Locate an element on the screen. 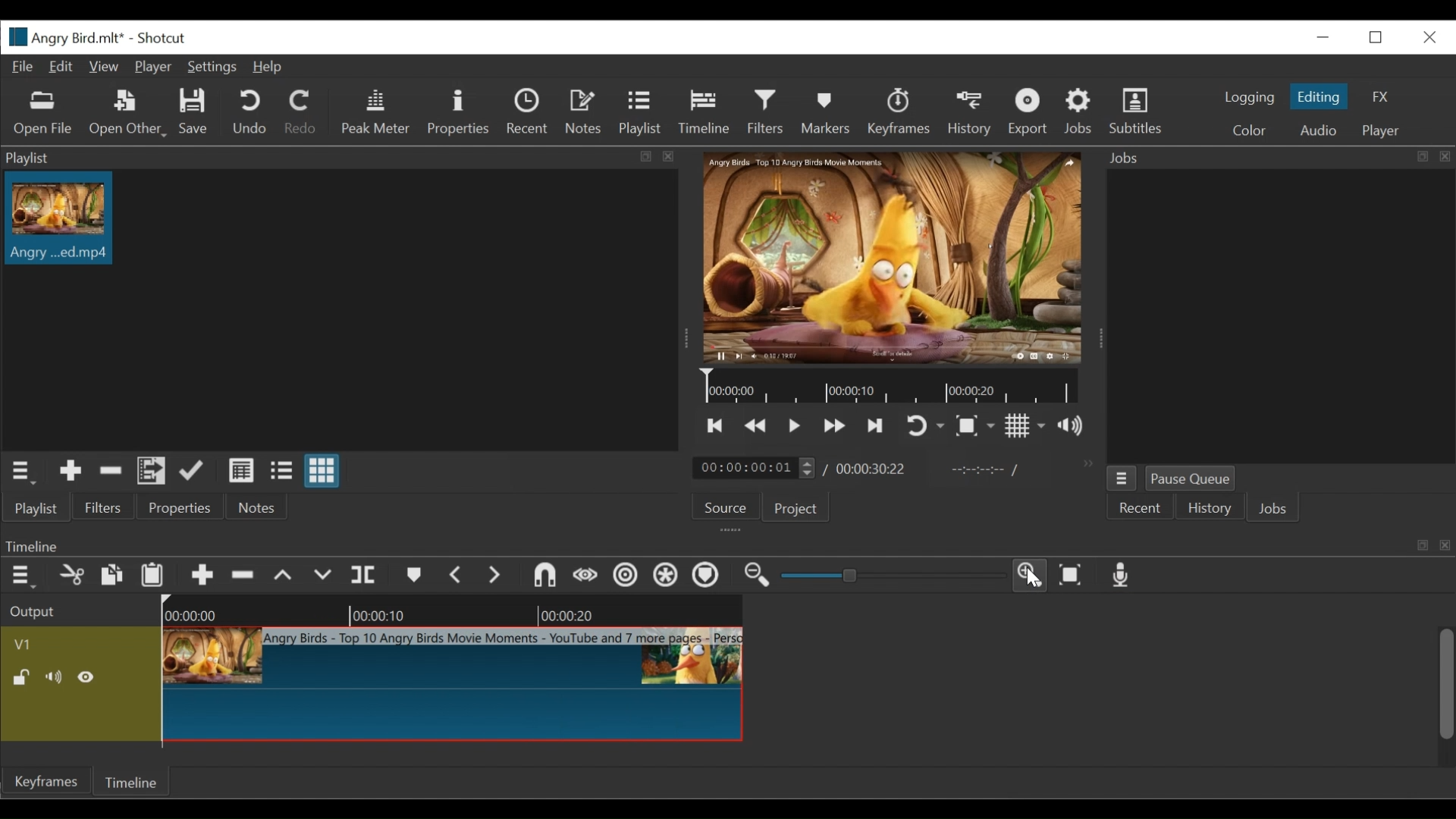 This screenshot has height=819, width=1456. Export is located at coordinates (1029, 114).